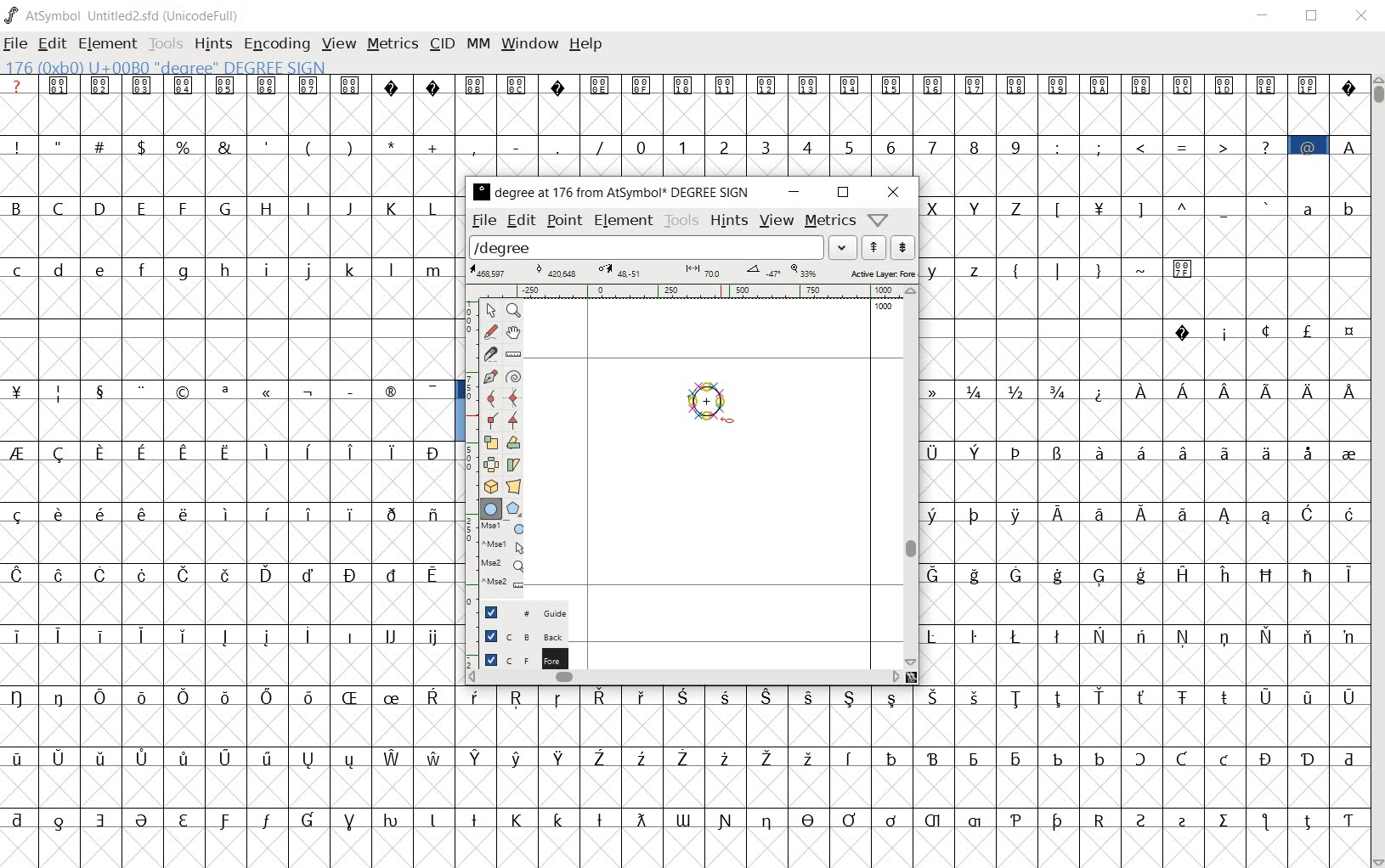  I want to click on A, so click(1348, 144).